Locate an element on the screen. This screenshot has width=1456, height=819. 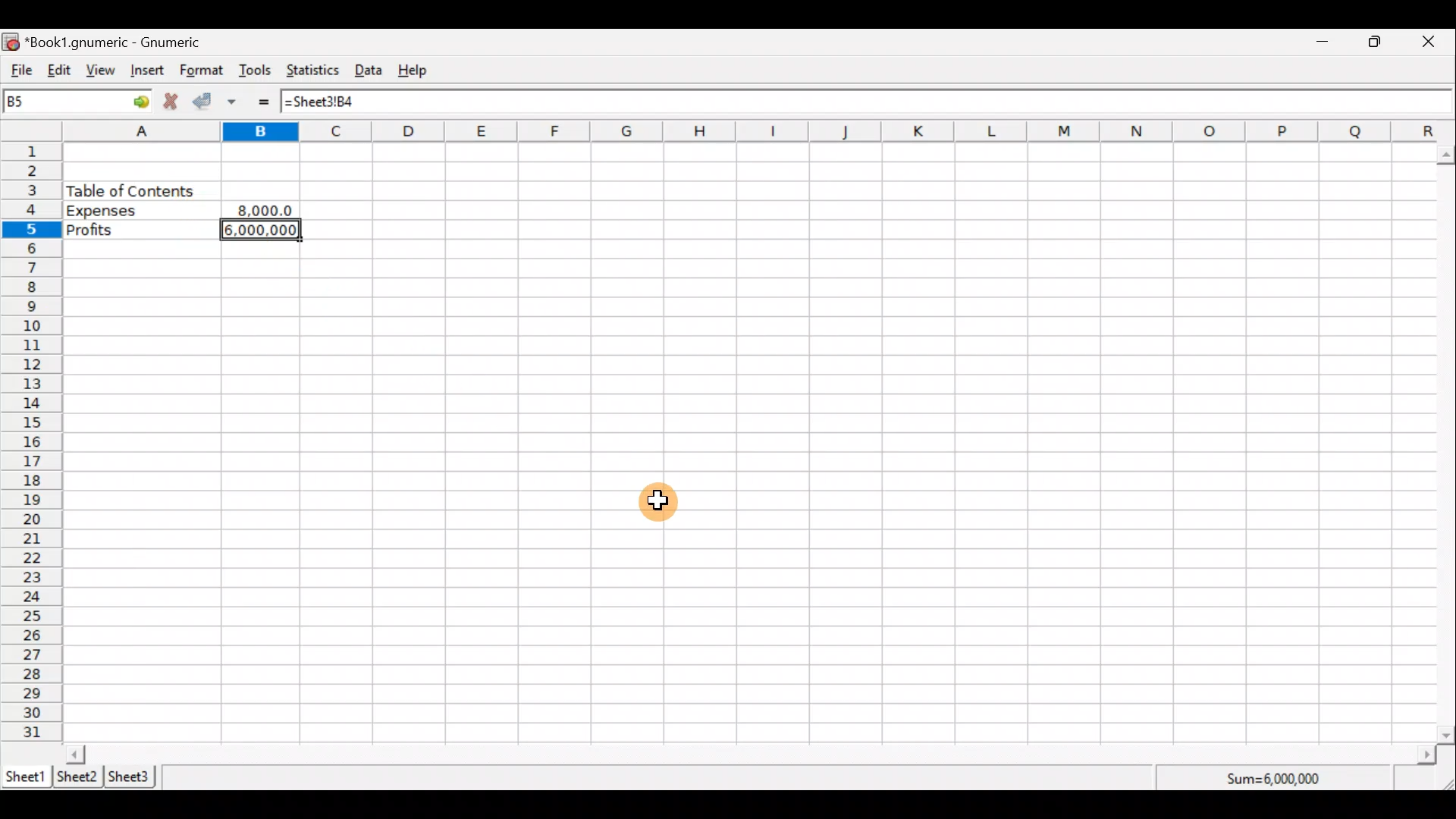
Sum is located at coordinates (1279, 777).